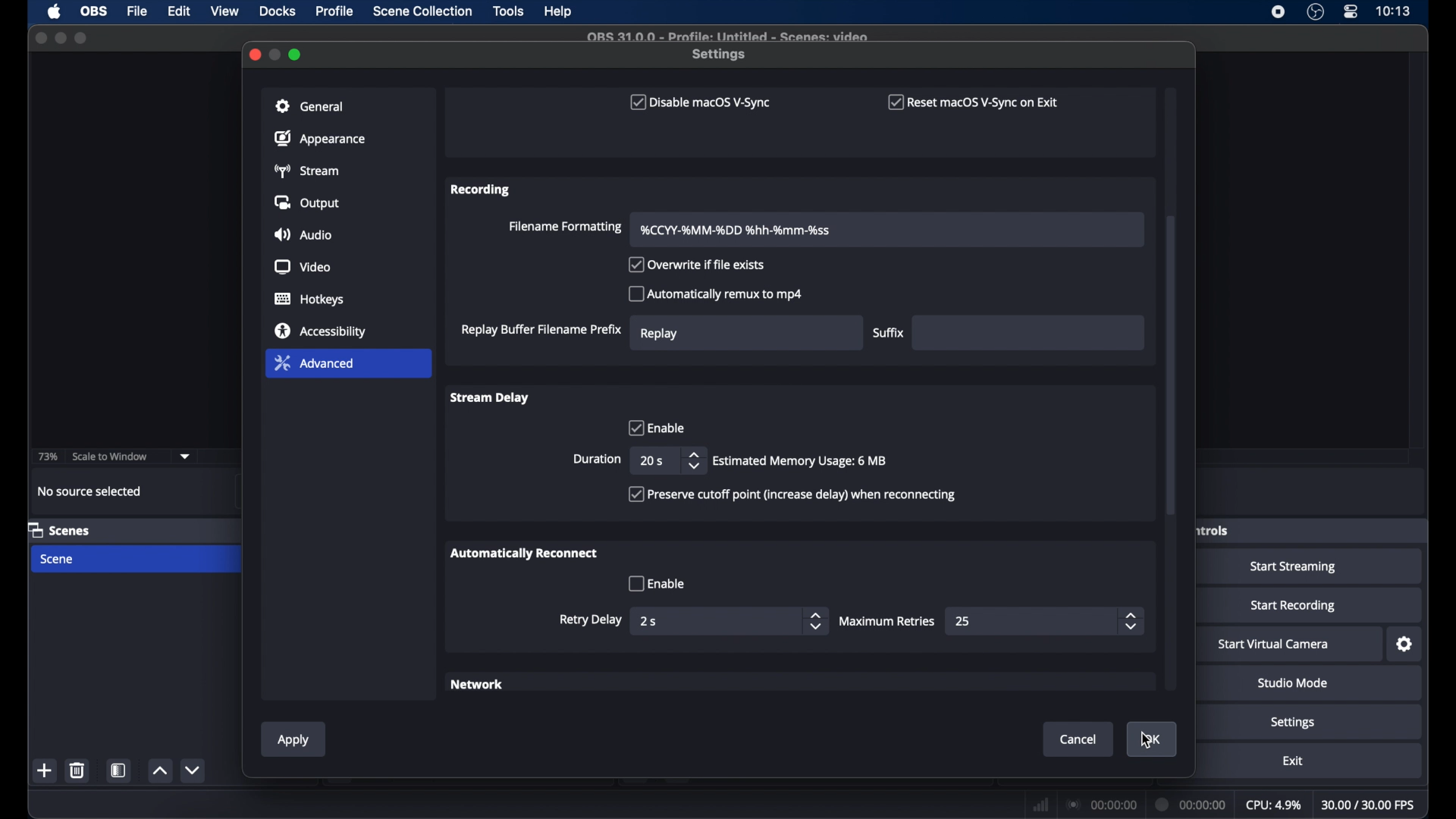  Describe the element at coordinates (160, 771) in the screenshot. I see `increment` at that location.